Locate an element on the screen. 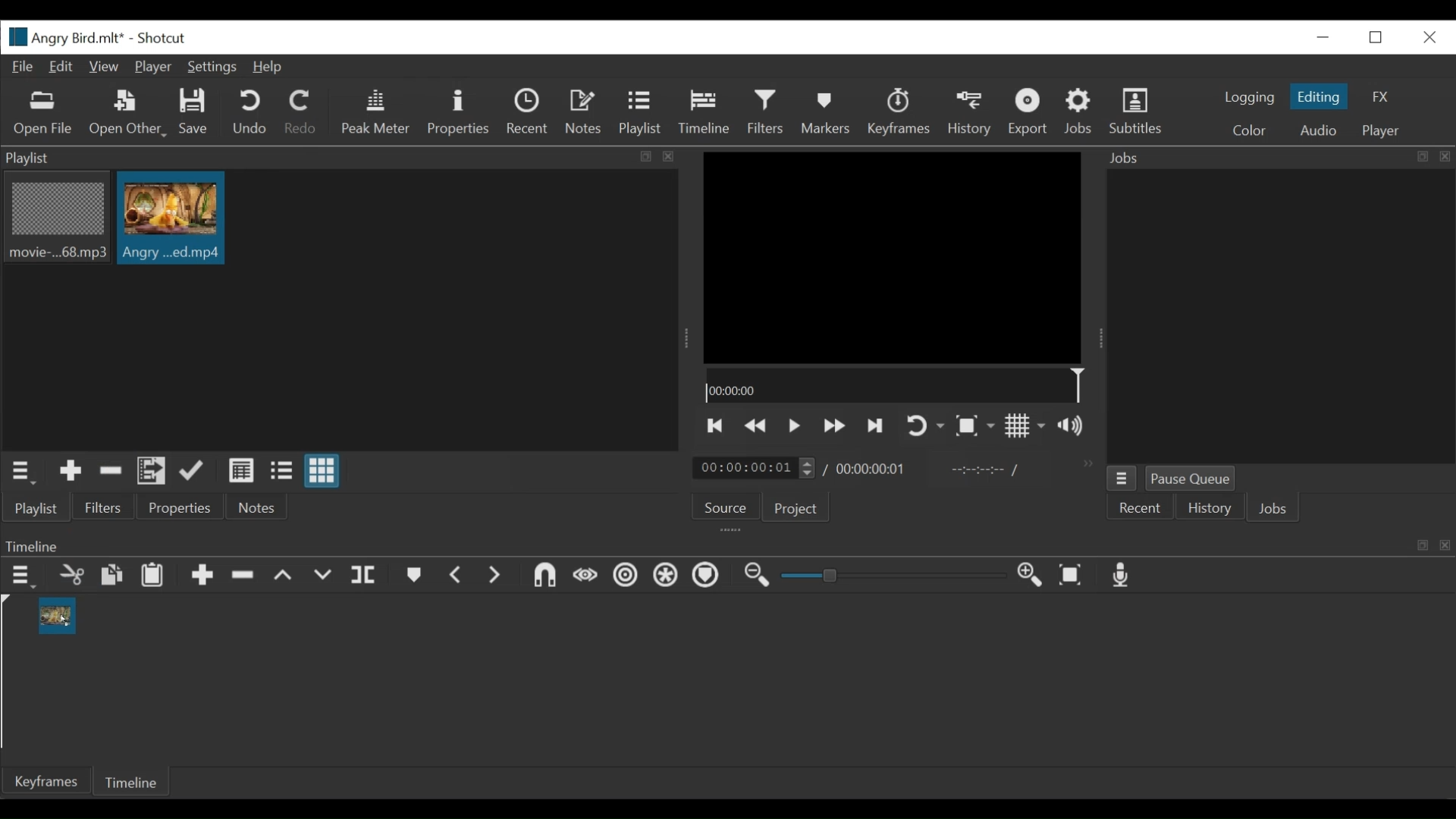  Subtitles is located at coordinates (1140, 115).